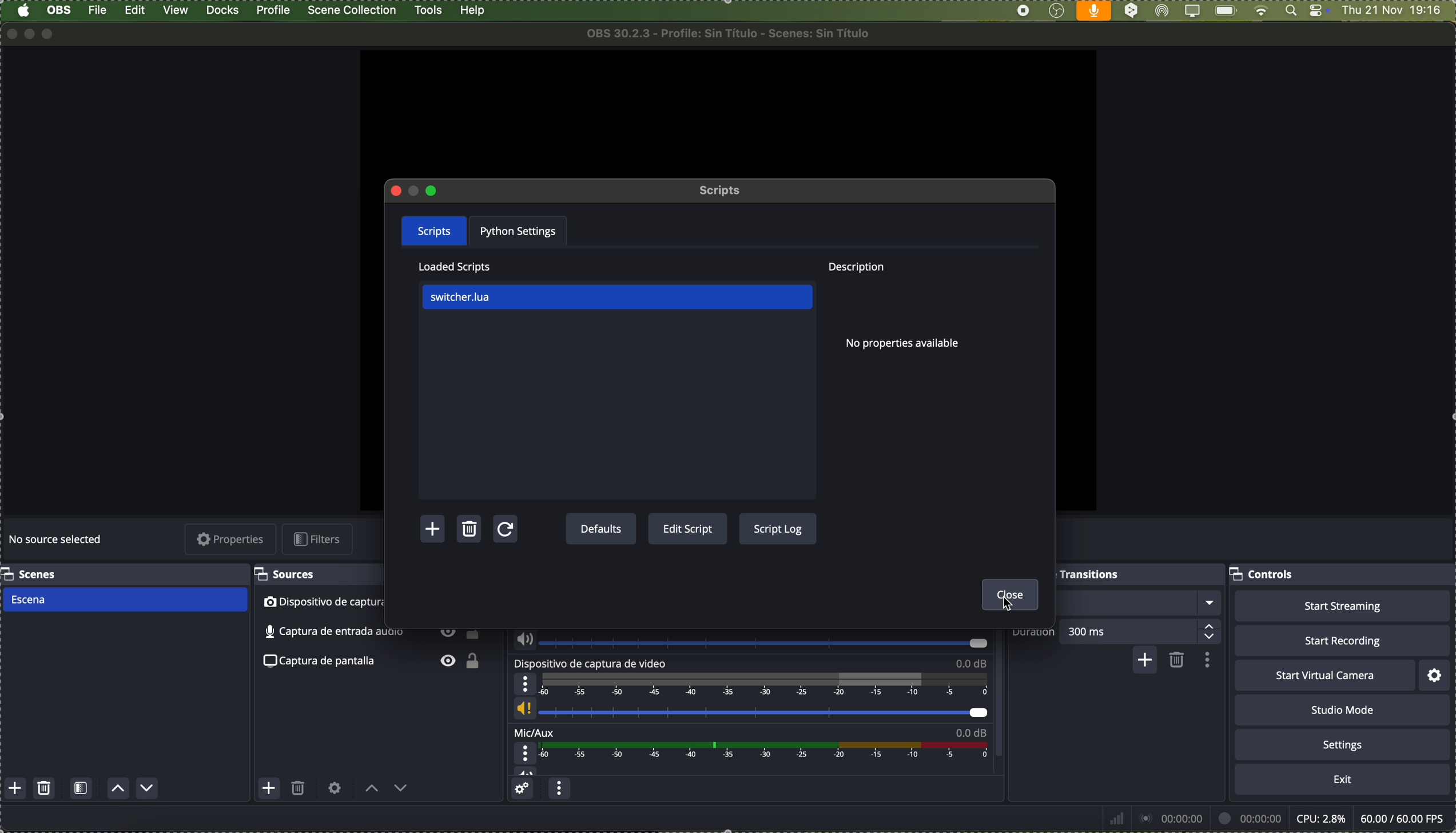 This screenshot has height=833, width=1456. Describe the element at coordinates (335, 788) in the screenshot. I see `open source properties` at that location.